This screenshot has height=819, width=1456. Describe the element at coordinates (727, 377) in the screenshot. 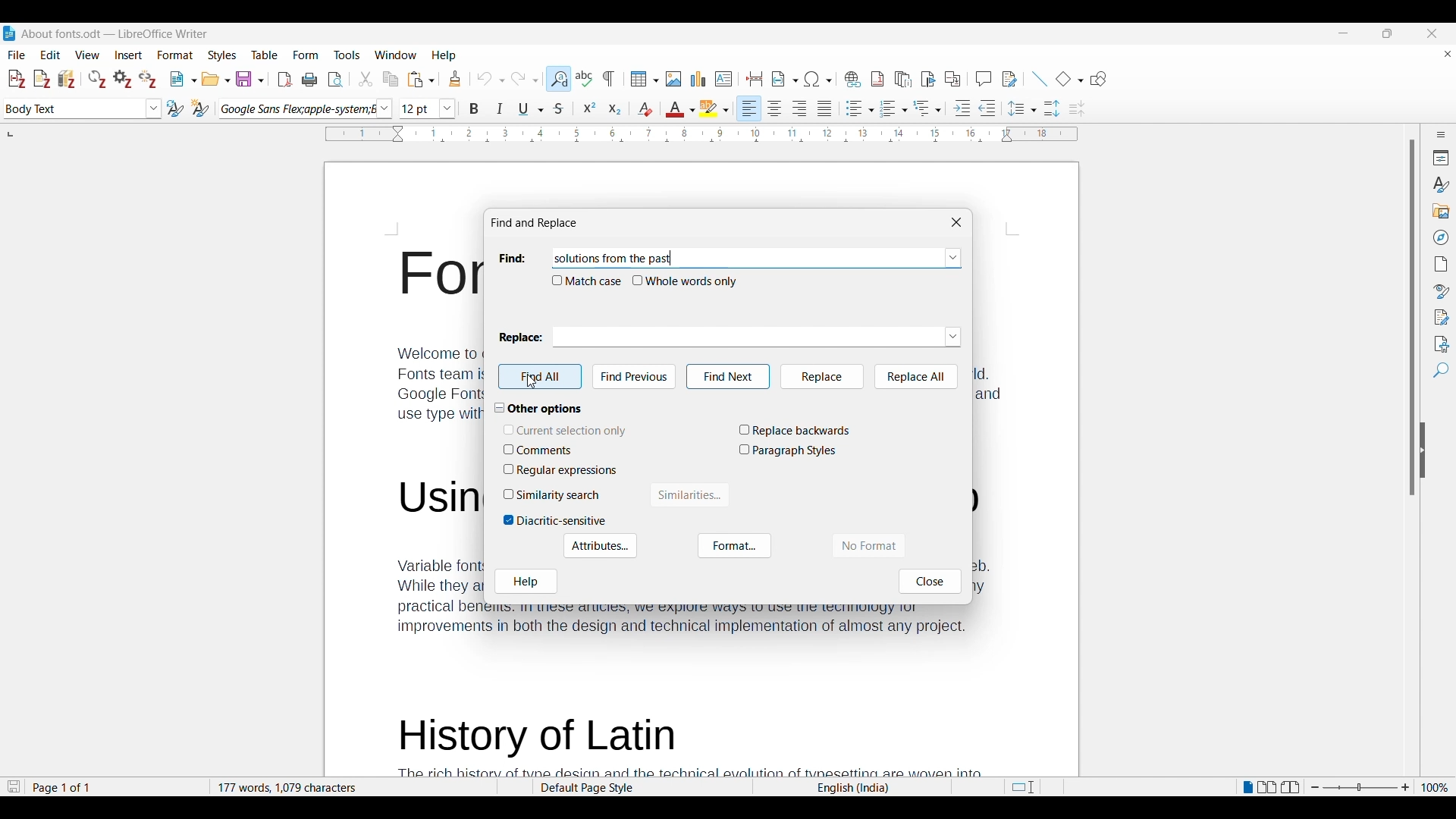

I see `Find Next` at that location.